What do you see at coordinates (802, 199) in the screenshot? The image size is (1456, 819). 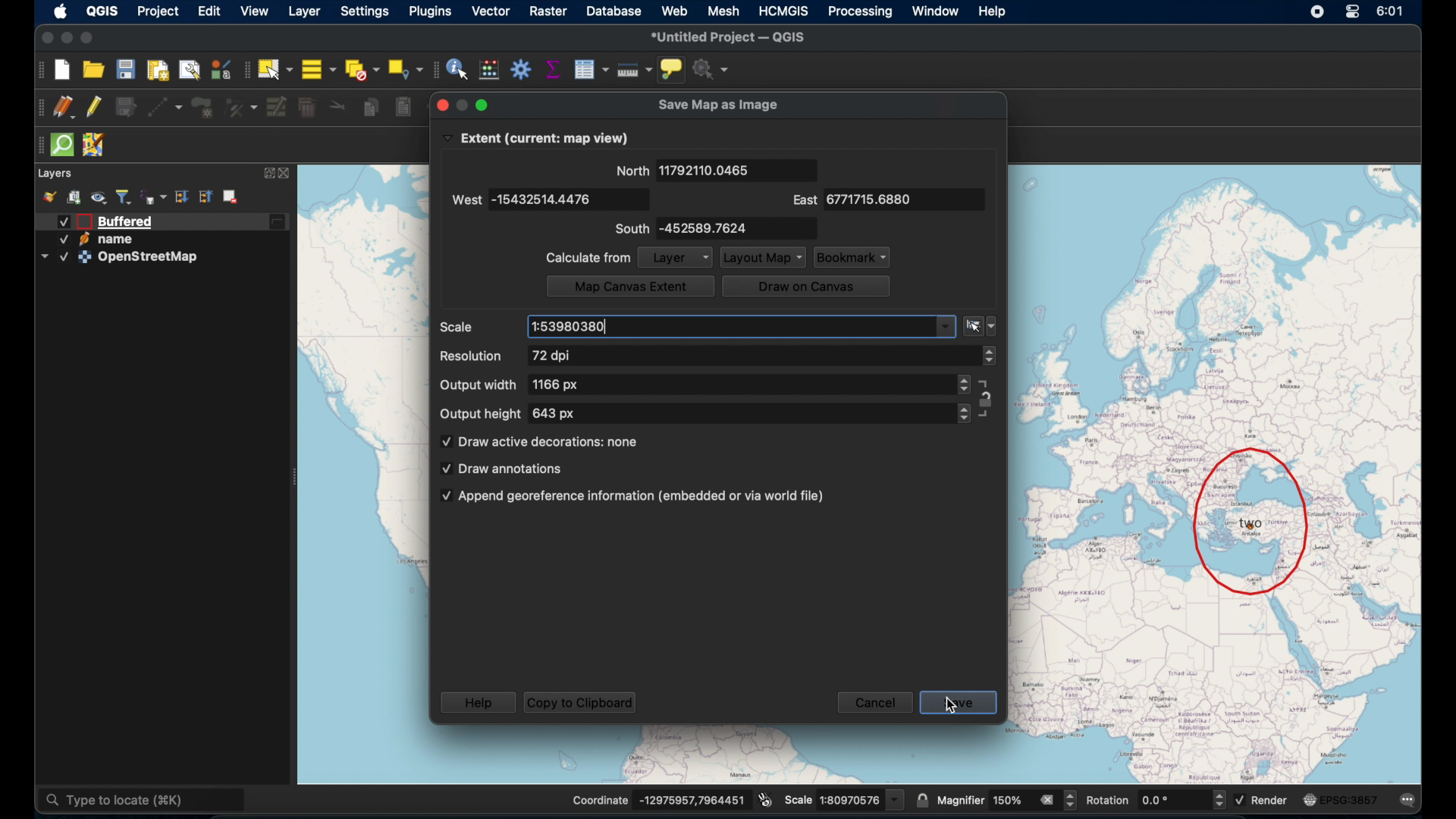 I see `east` at bounding box center [802, 199].